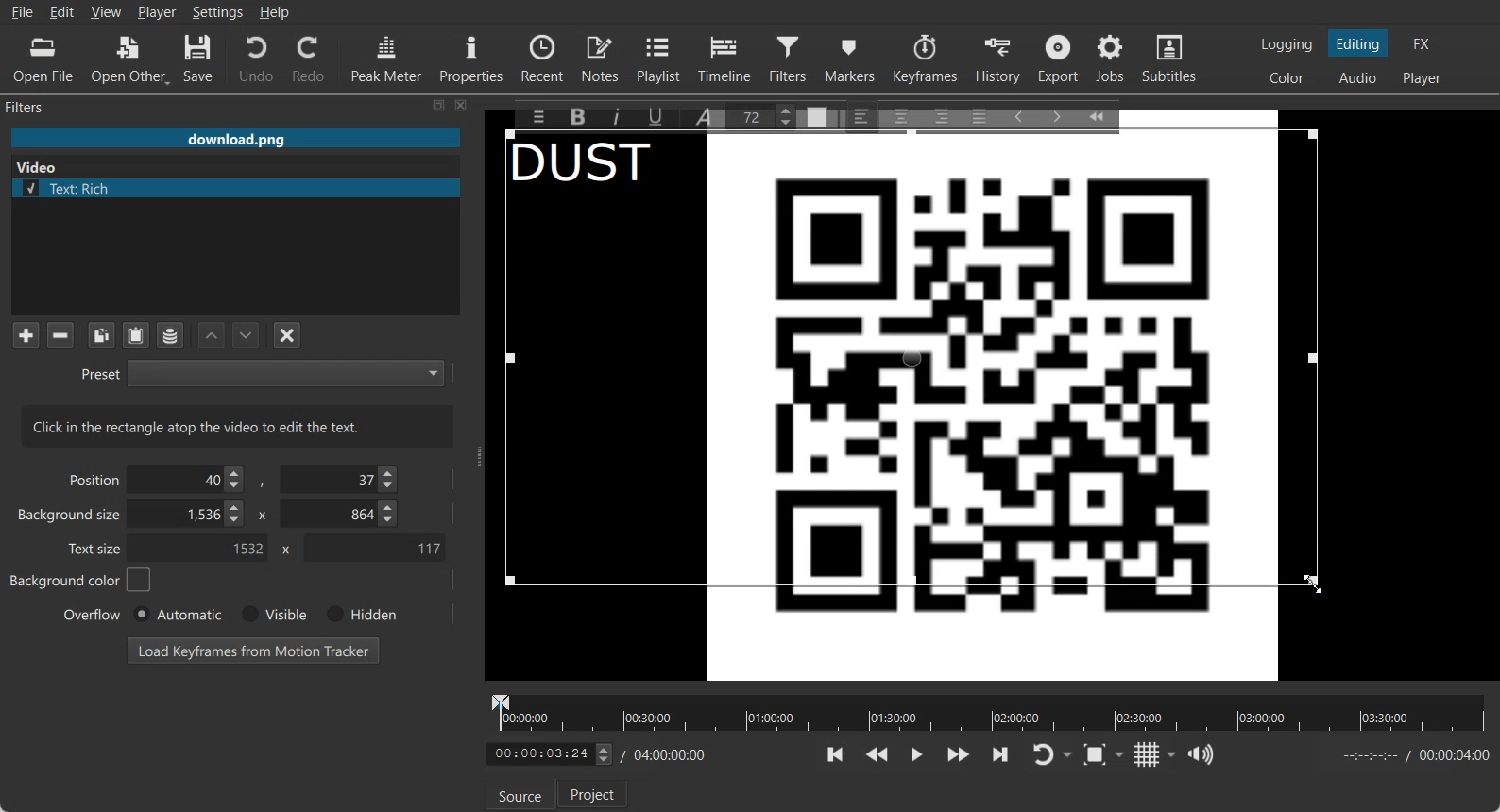 The height and width of the screenshot is (812, 1500). Describe the element at coordinates (22, 12) in the screenshot. I see `File` at that location.